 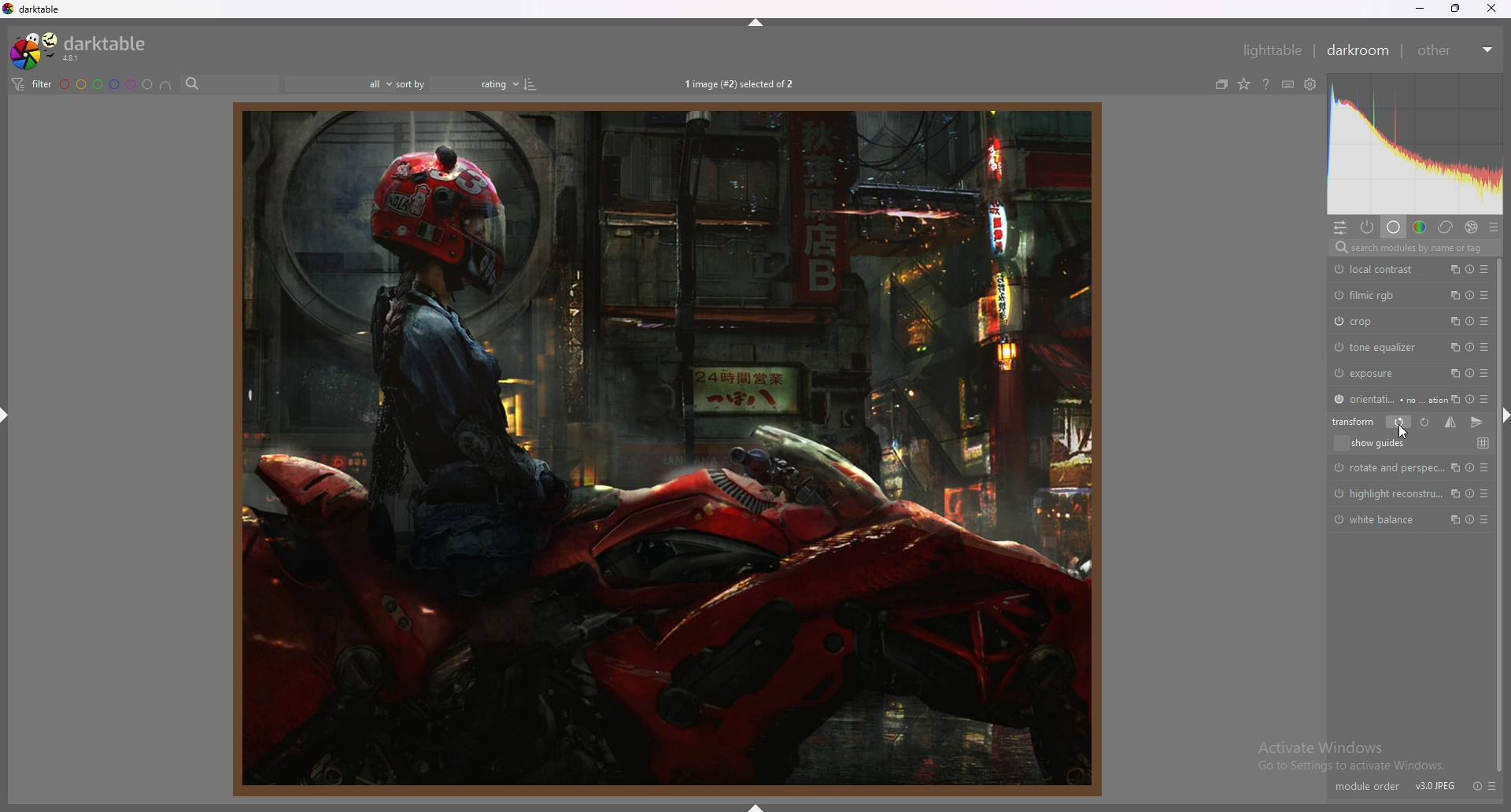 What do you see at coordinates (1470, 372) in the screenshot?
I see `reset` at bounding box center [1470, 372].